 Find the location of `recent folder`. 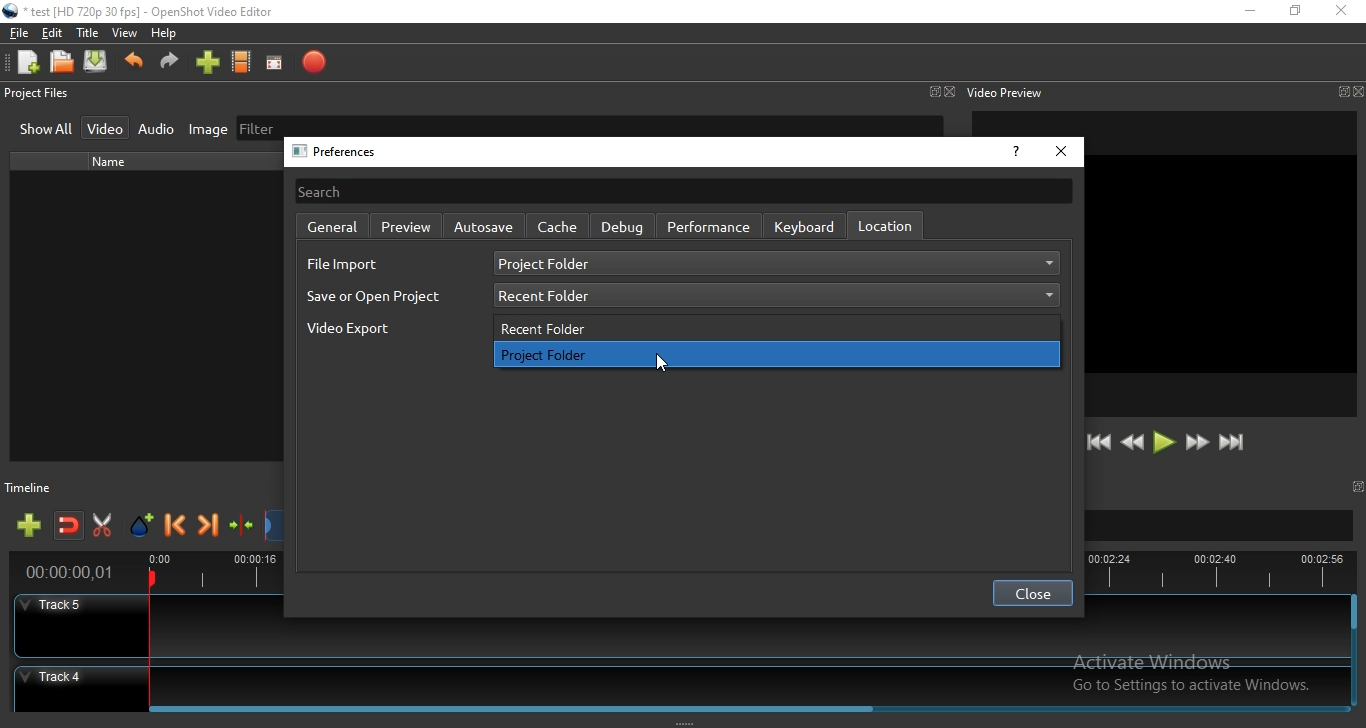

recent folder is located at coordinates (774, 325).